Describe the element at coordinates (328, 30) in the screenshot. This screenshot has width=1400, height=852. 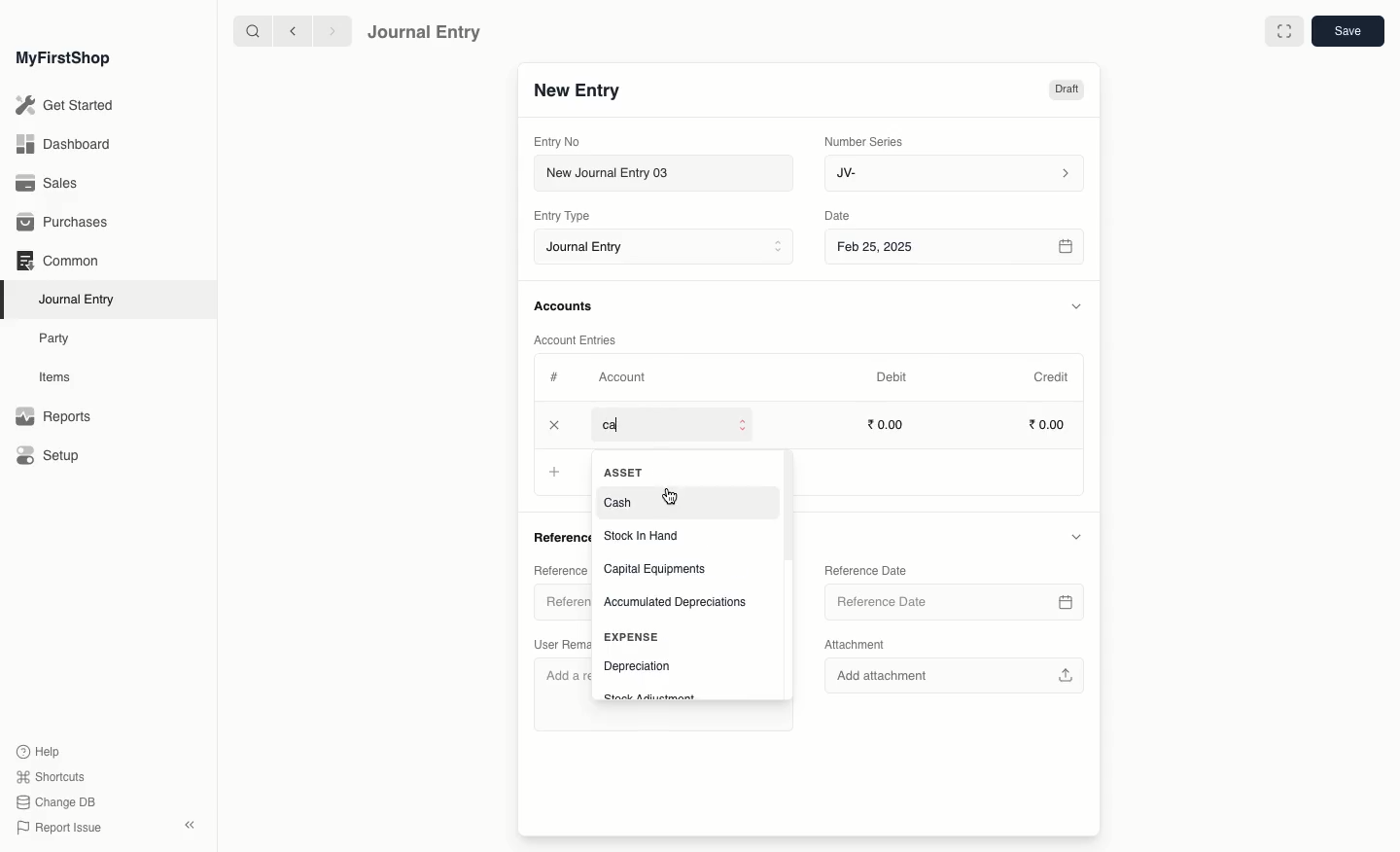
I see `forward >` at that location.